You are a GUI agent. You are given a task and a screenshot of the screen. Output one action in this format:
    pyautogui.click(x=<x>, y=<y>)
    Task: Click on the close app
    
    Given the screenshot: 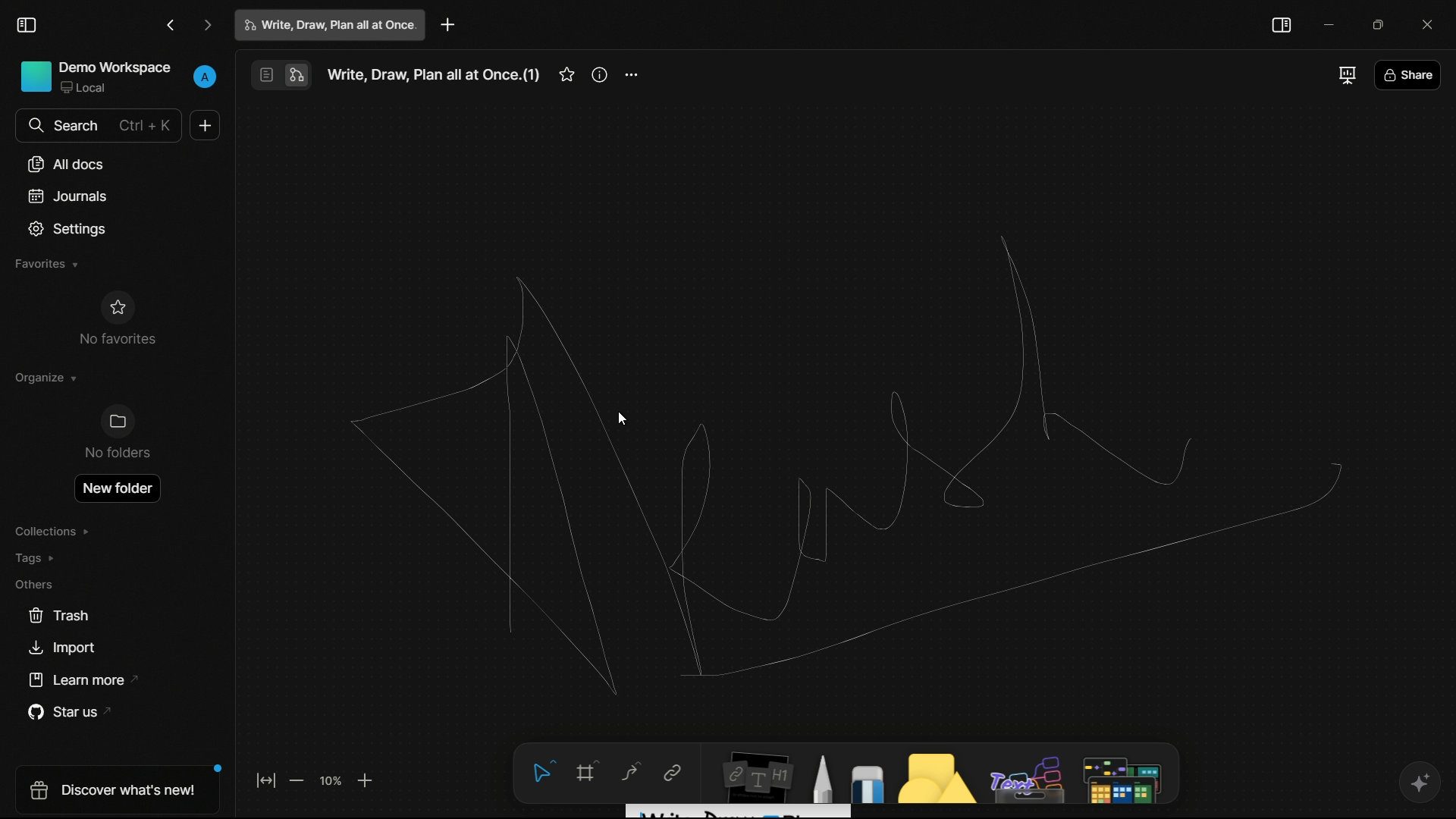 What is the action you would take?
    pyautogui.click(x=1428, y=27)
    